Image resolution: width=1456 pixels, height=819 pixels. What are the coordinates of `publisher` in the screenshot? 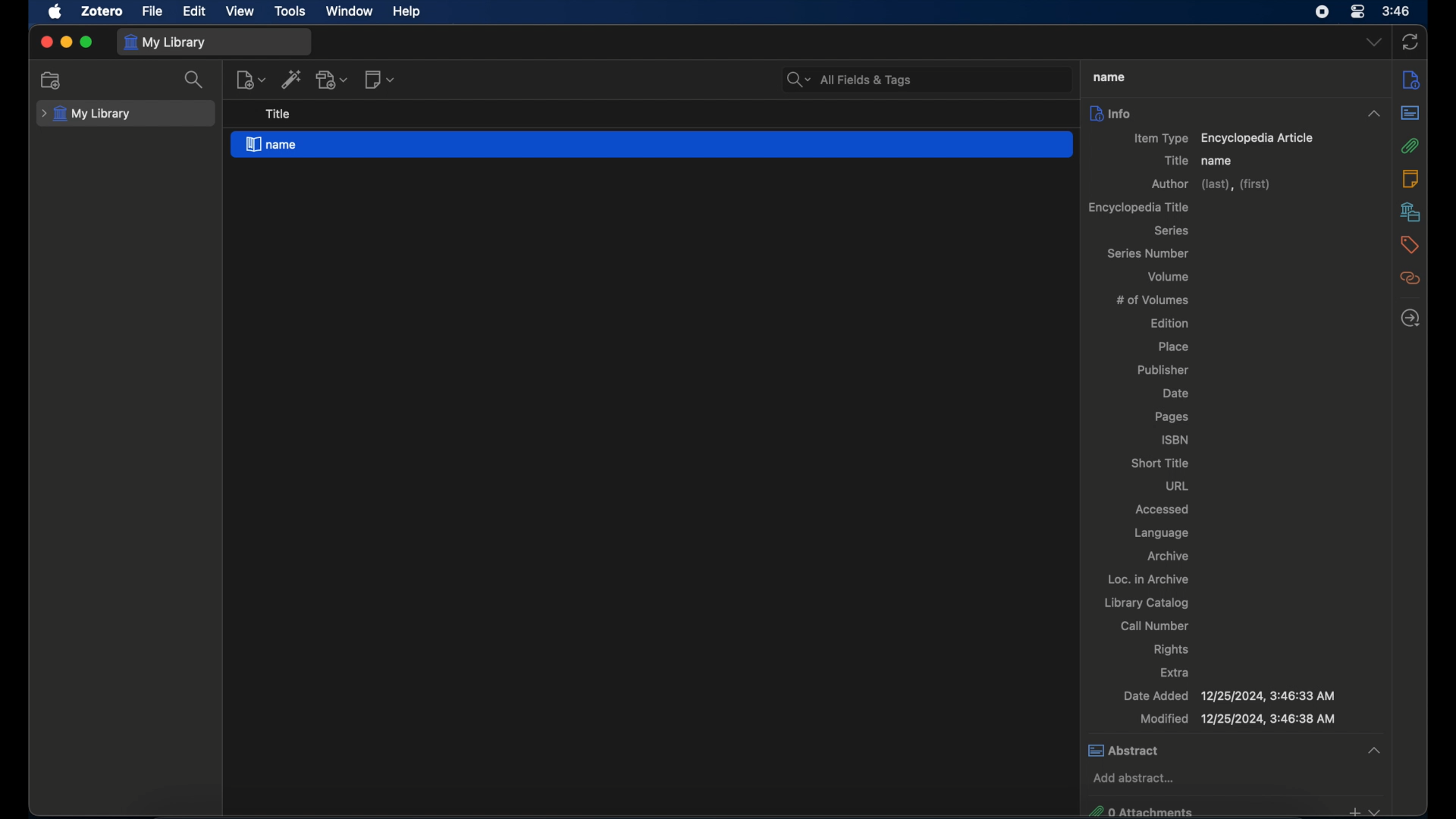 It's located at (1165, 371).